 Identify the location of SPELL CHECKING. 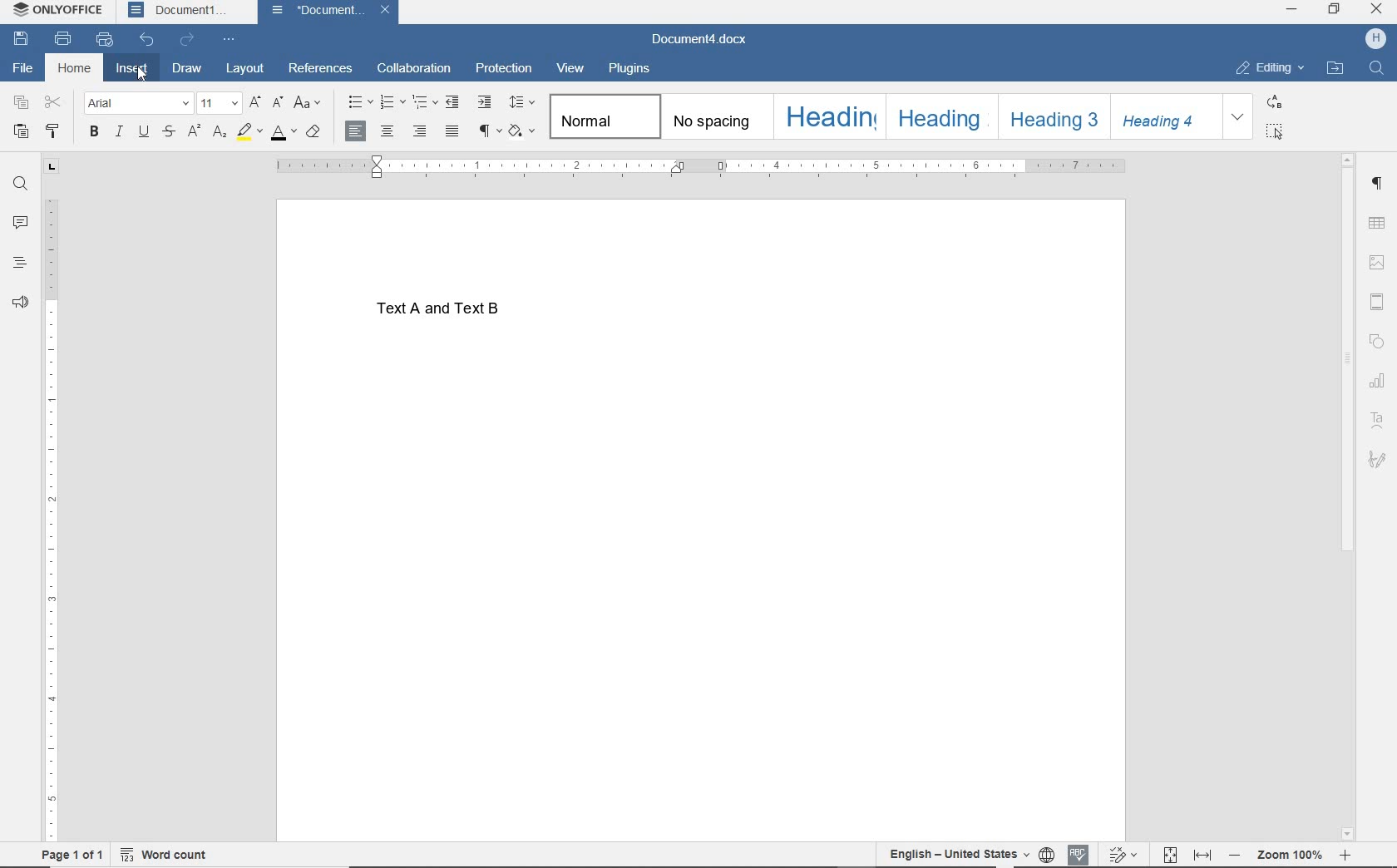
(1078, 851).